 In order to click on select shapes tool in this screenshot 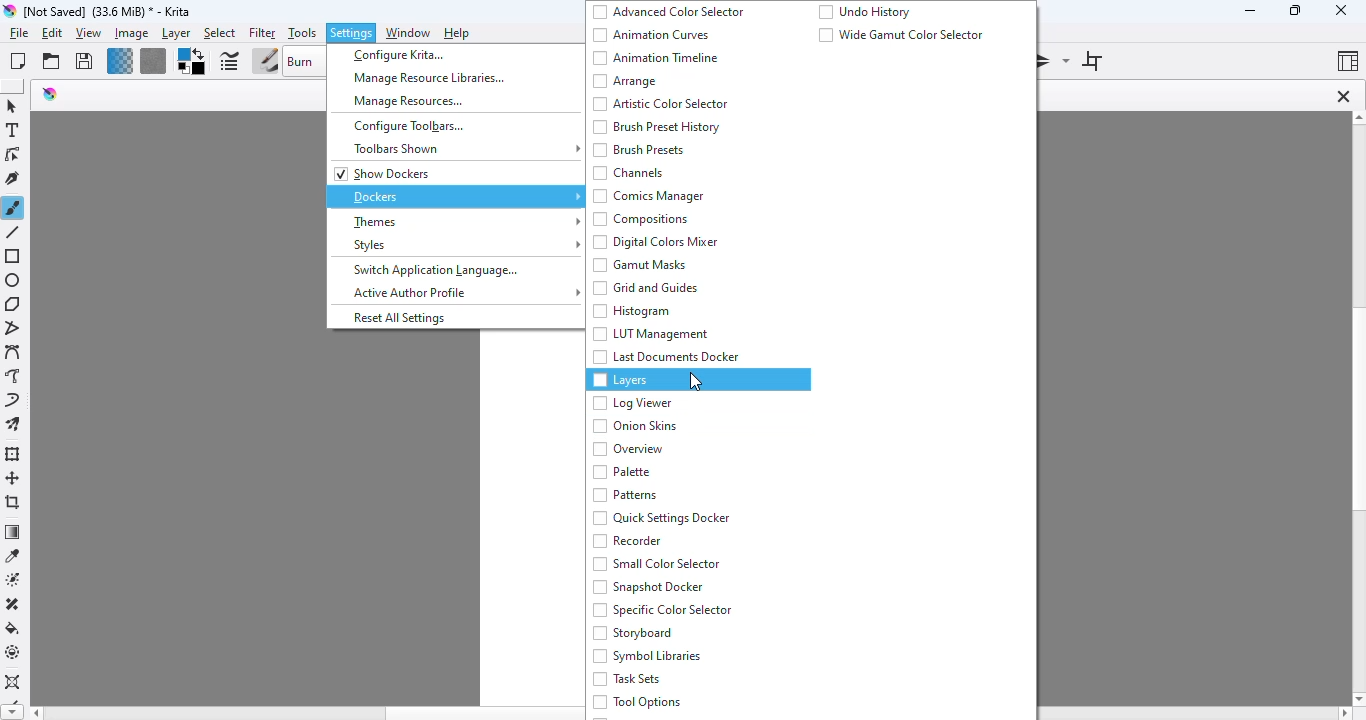, I will do `click(11, 106)`.